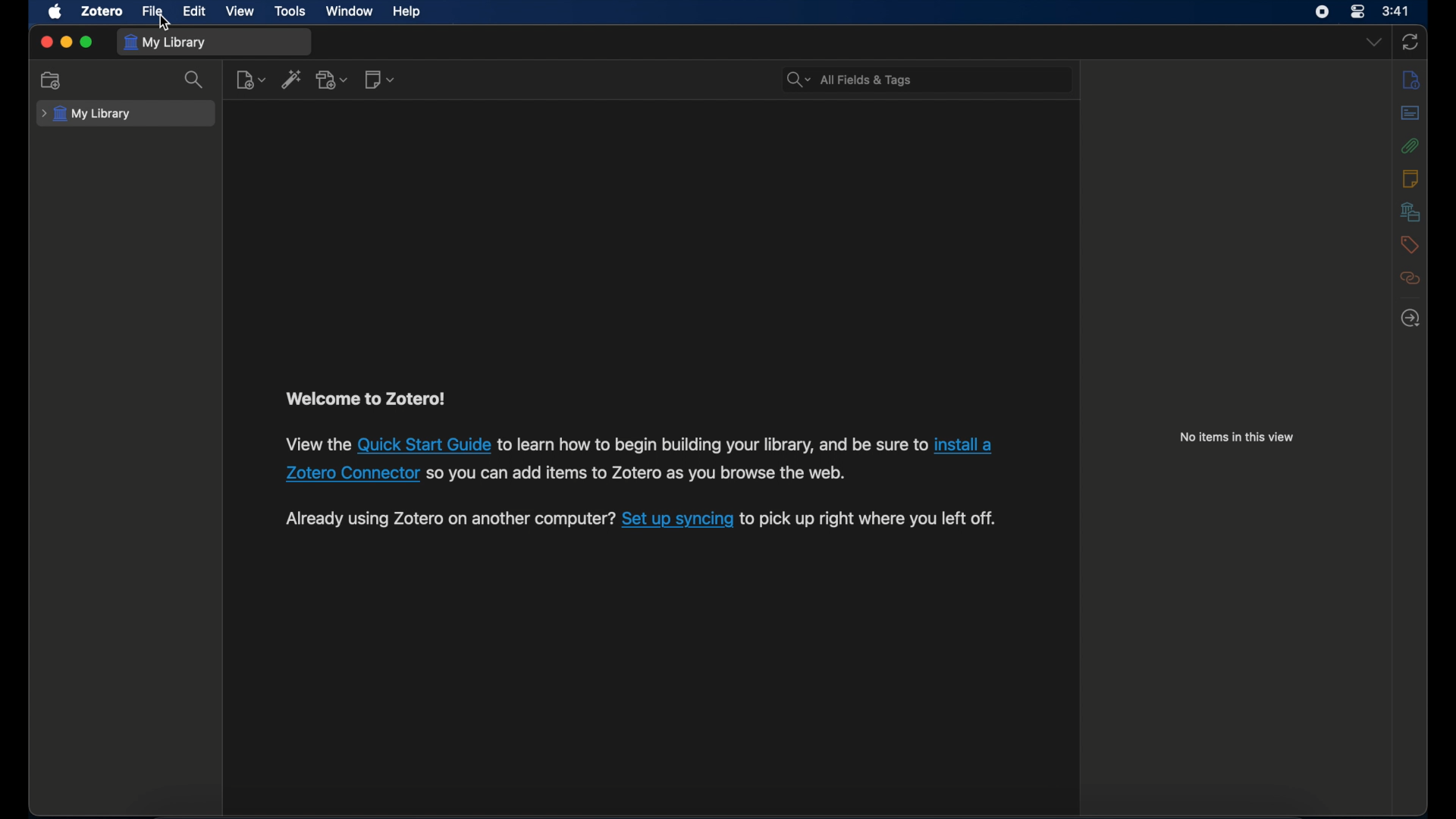 This screenshot has width=1456, height=819. Describe the element at coordinates (963, 444) in the screenshot. I see `link` at that location.